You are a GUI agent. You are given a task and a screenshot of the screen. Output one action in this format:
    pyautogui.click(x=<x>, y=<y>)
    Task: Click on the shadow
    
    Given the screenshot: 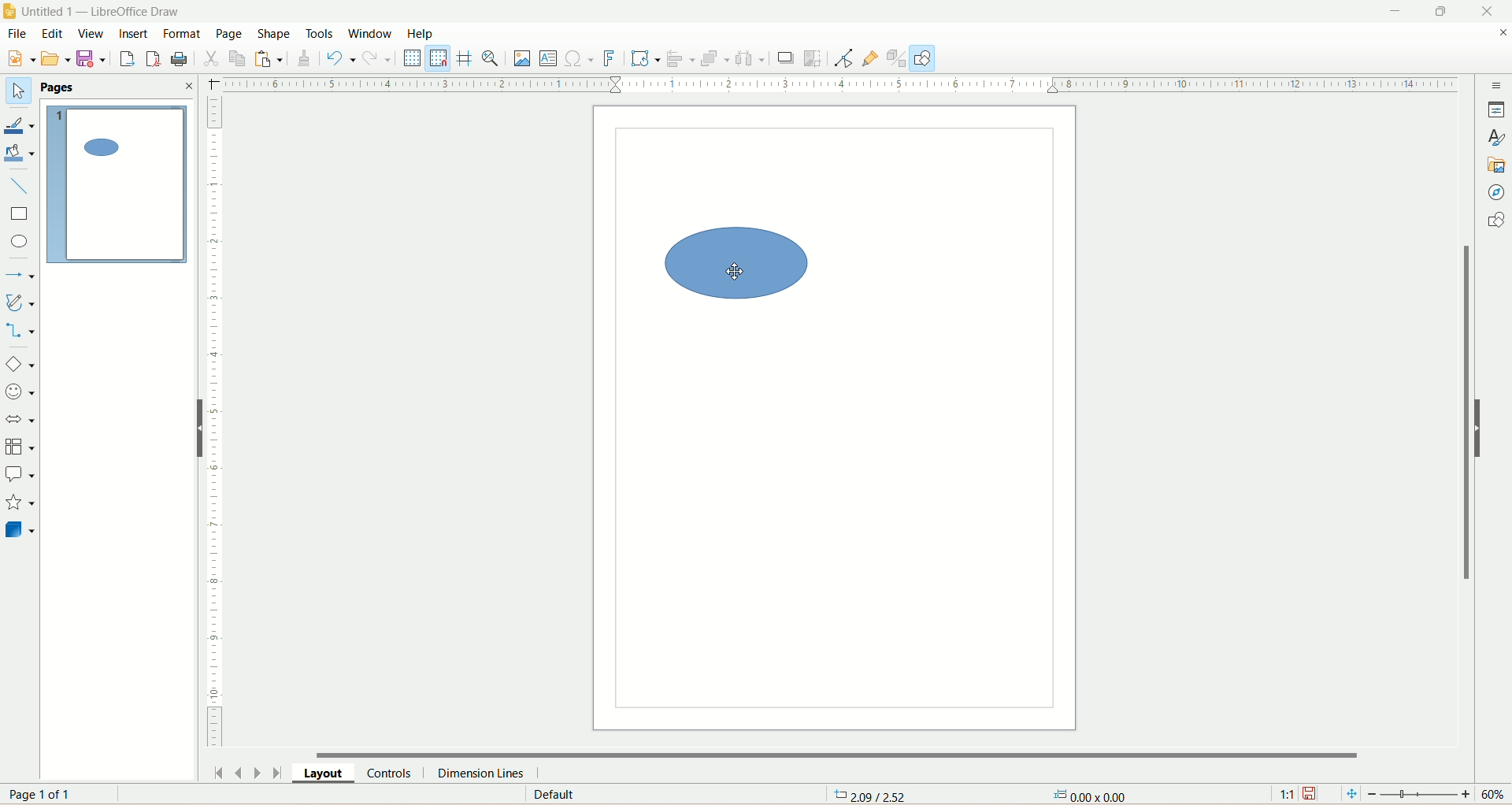 What is the action you would take?
    pyautogui.click(x=784, y=60)
    